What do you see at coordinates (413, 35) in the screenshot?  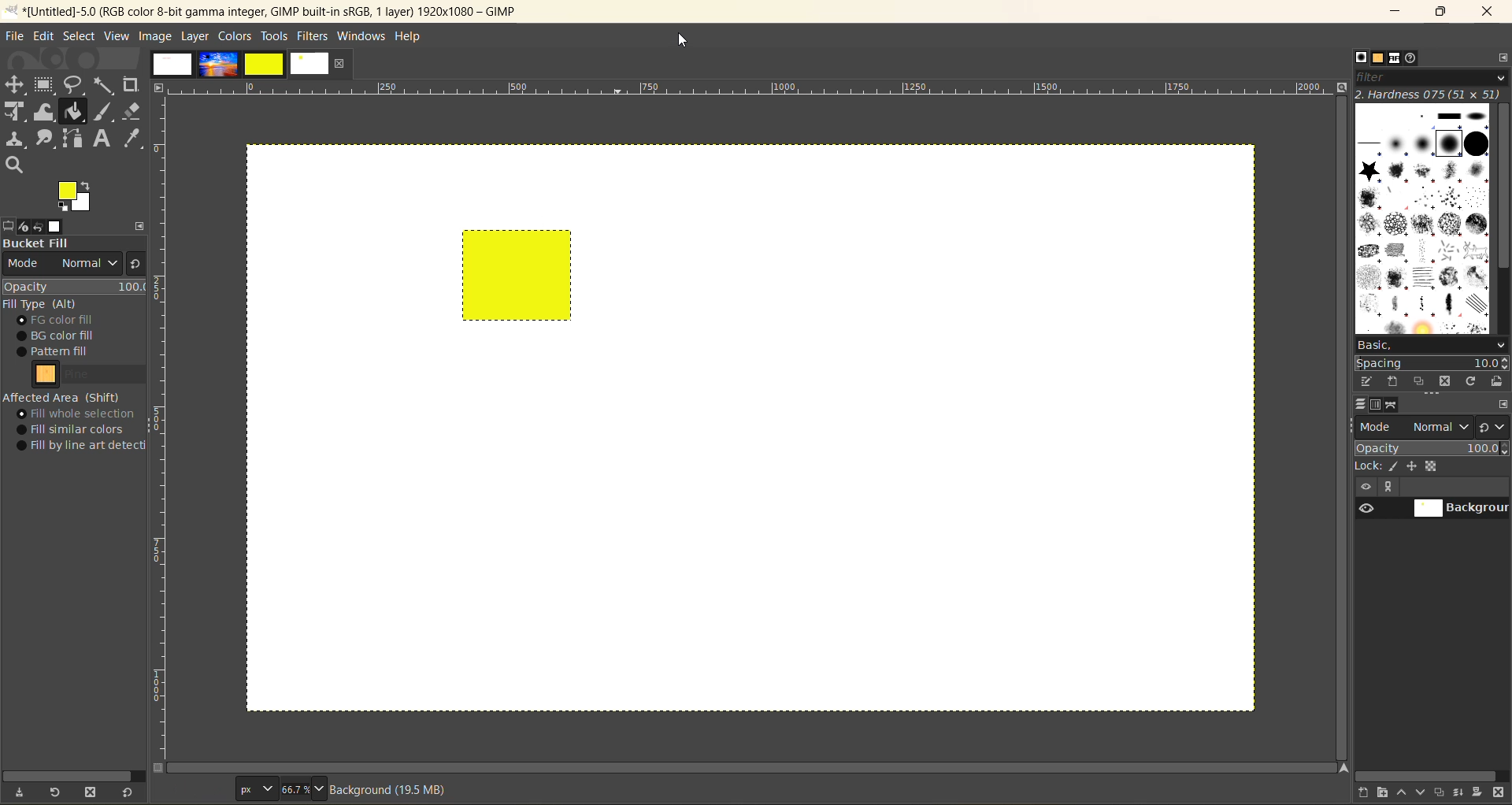 I see `help` at bounding box center [413, 35].